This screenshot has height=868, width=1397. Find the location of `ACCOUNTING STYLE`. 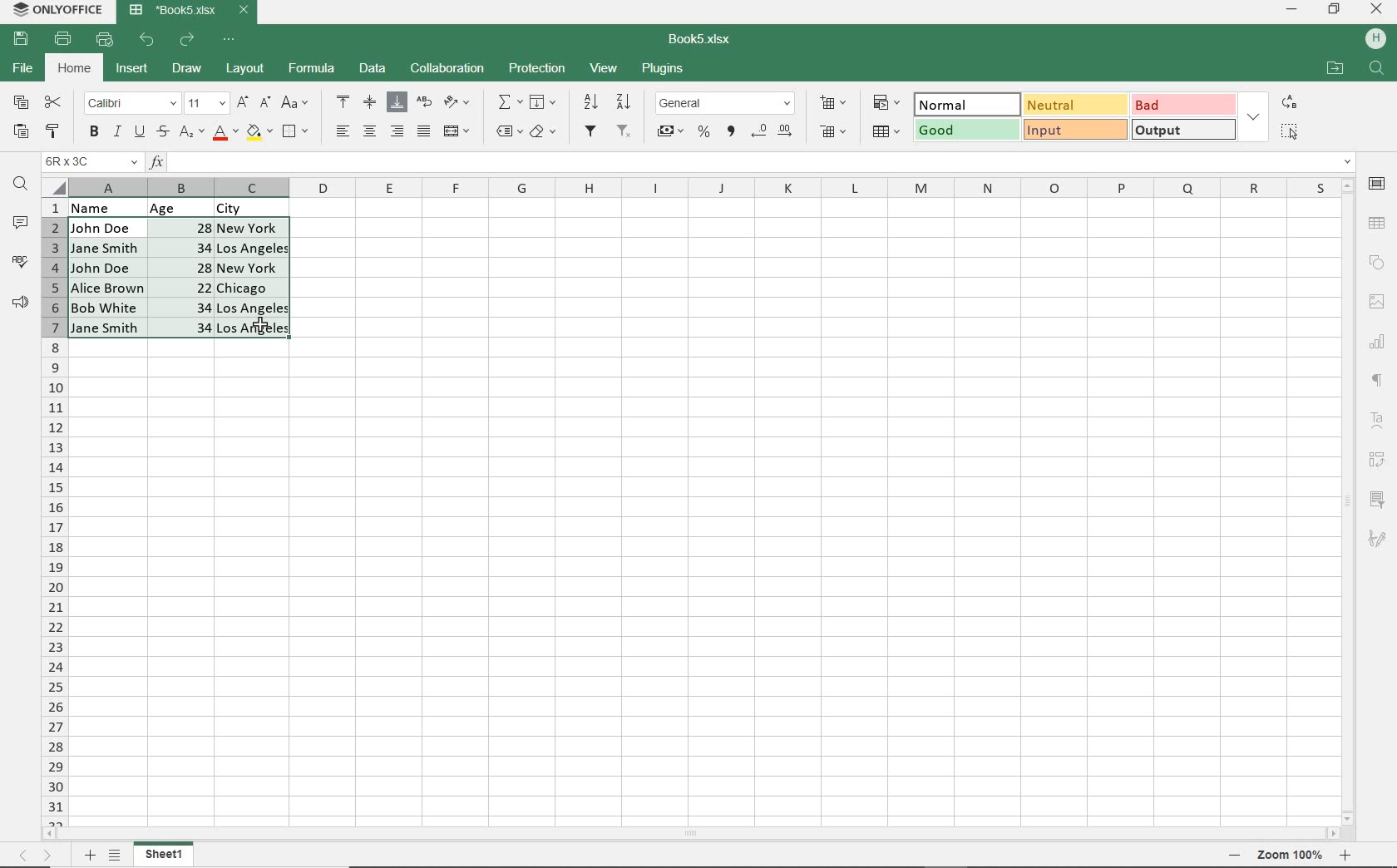

ACCOUNTING STYLE is located at coordinates (669, 133).